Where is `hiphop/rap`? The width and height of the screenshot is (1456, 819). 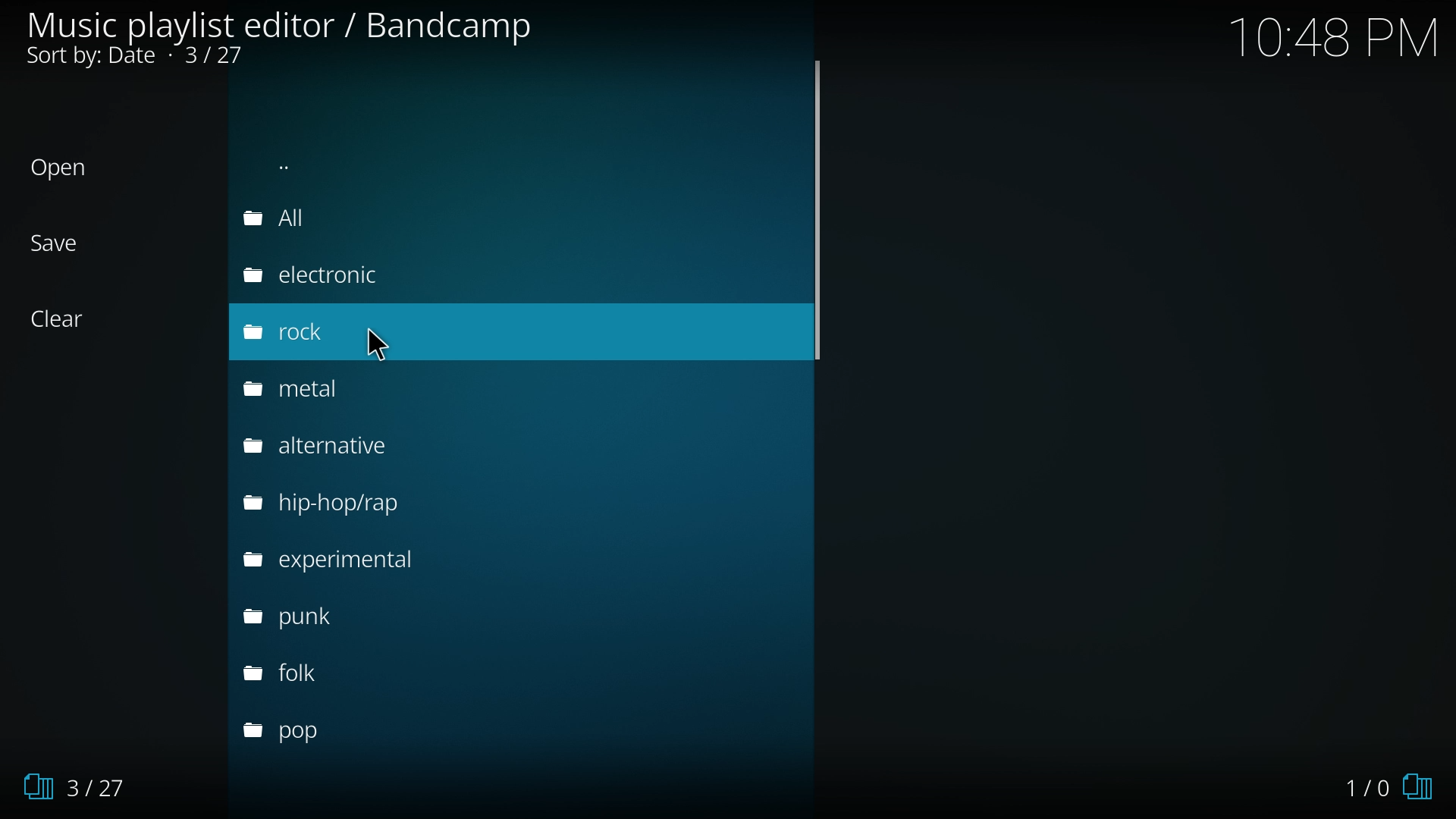 hiphop/rap is located at coordinates (346, 500).